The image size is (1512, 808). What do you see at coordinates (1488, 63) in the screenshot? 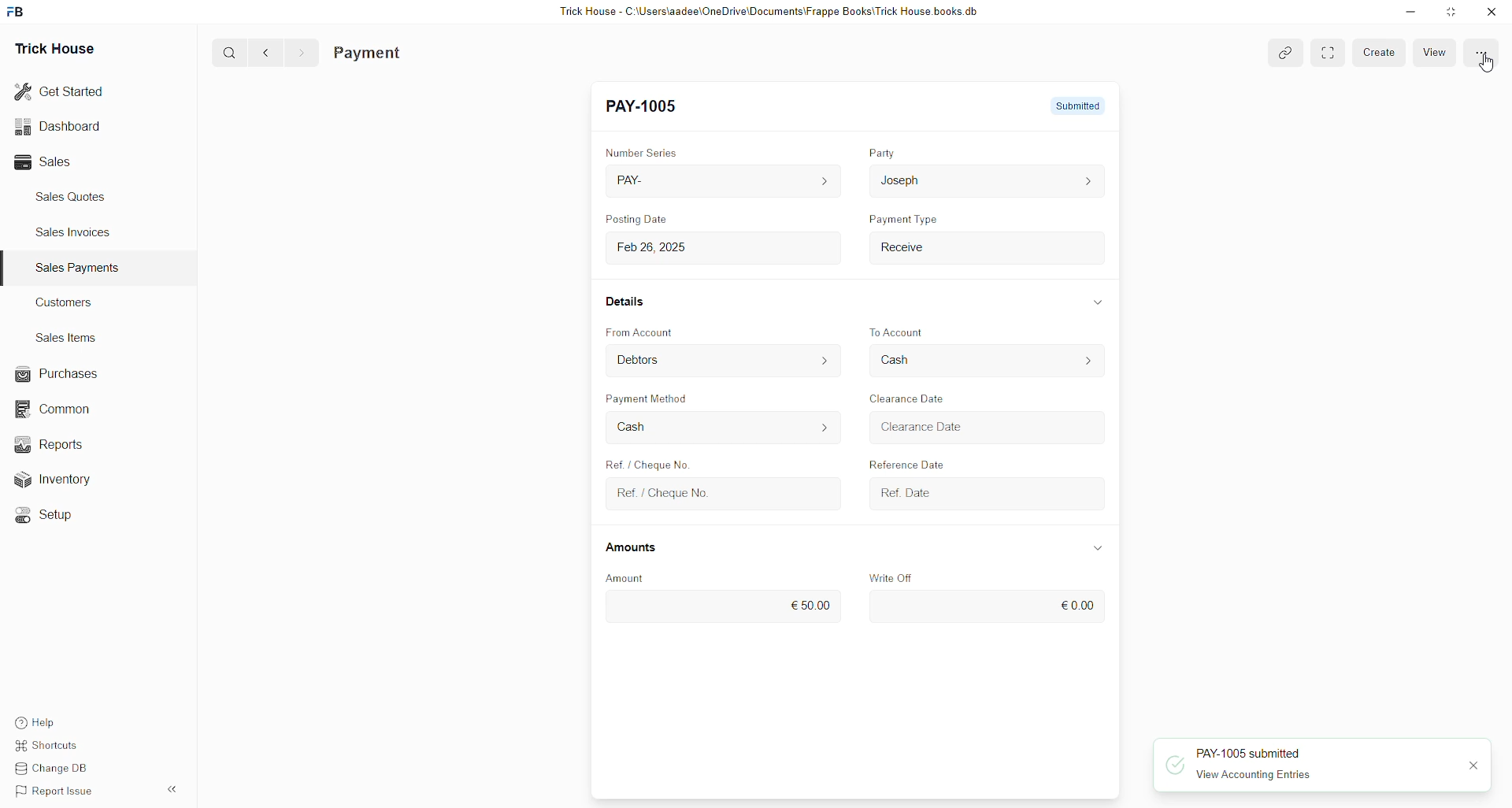
I see `cursor` at bounding box center [1488, 63].